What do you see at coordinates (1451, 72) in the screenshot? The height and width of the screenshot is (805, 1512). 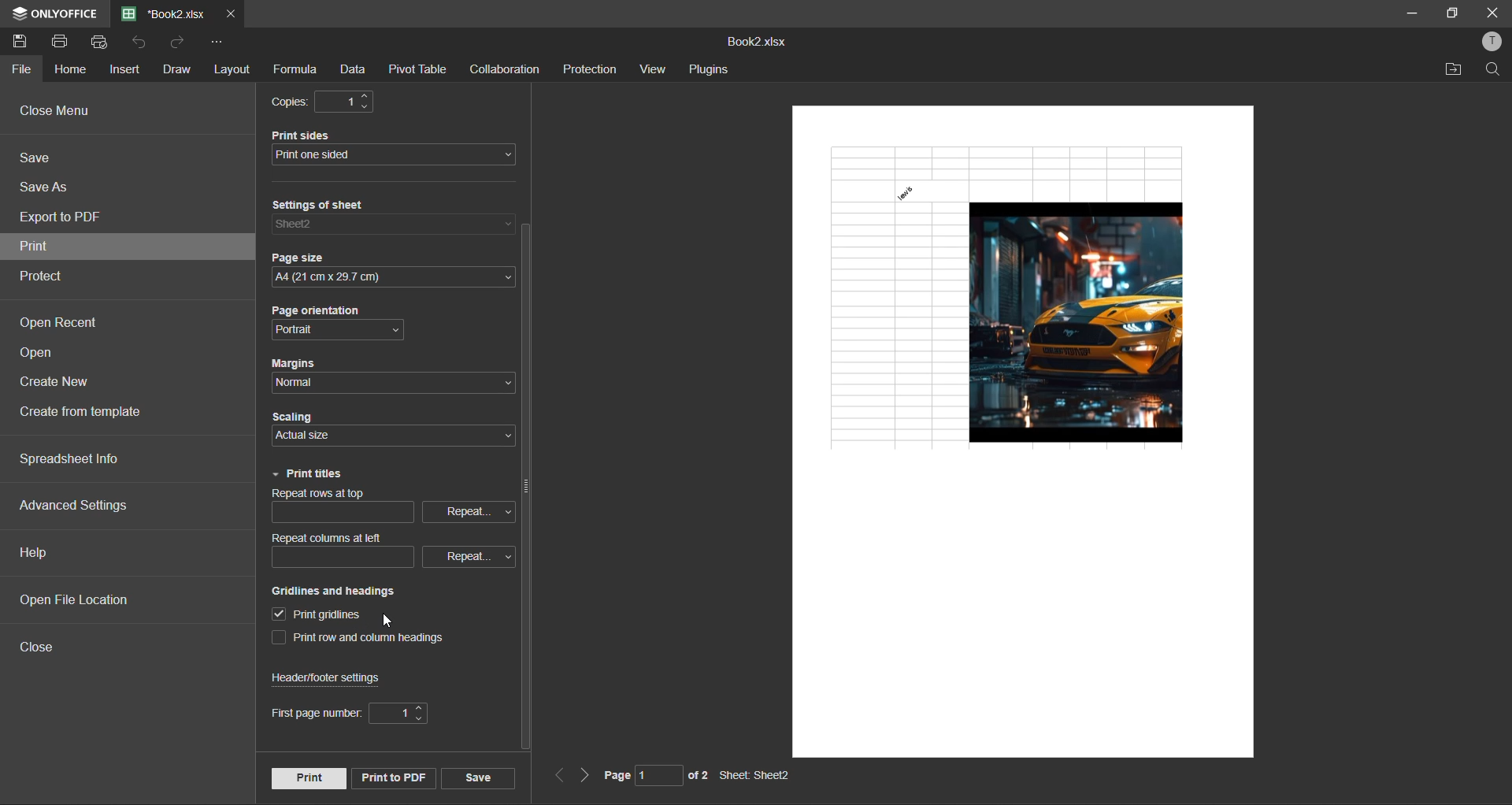 I see `open location` at bounding box center [1451, 72].